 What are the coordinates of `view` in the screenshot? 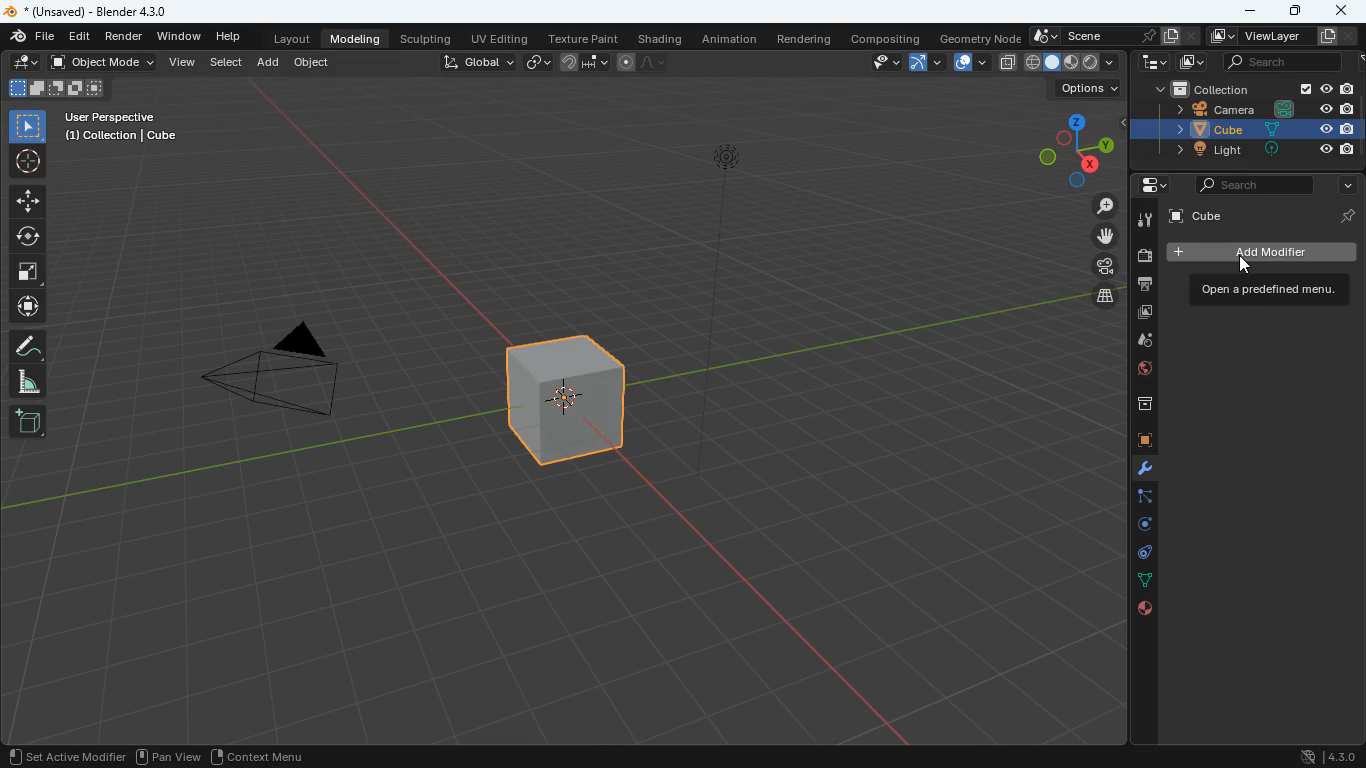 It's located at (180, 63).